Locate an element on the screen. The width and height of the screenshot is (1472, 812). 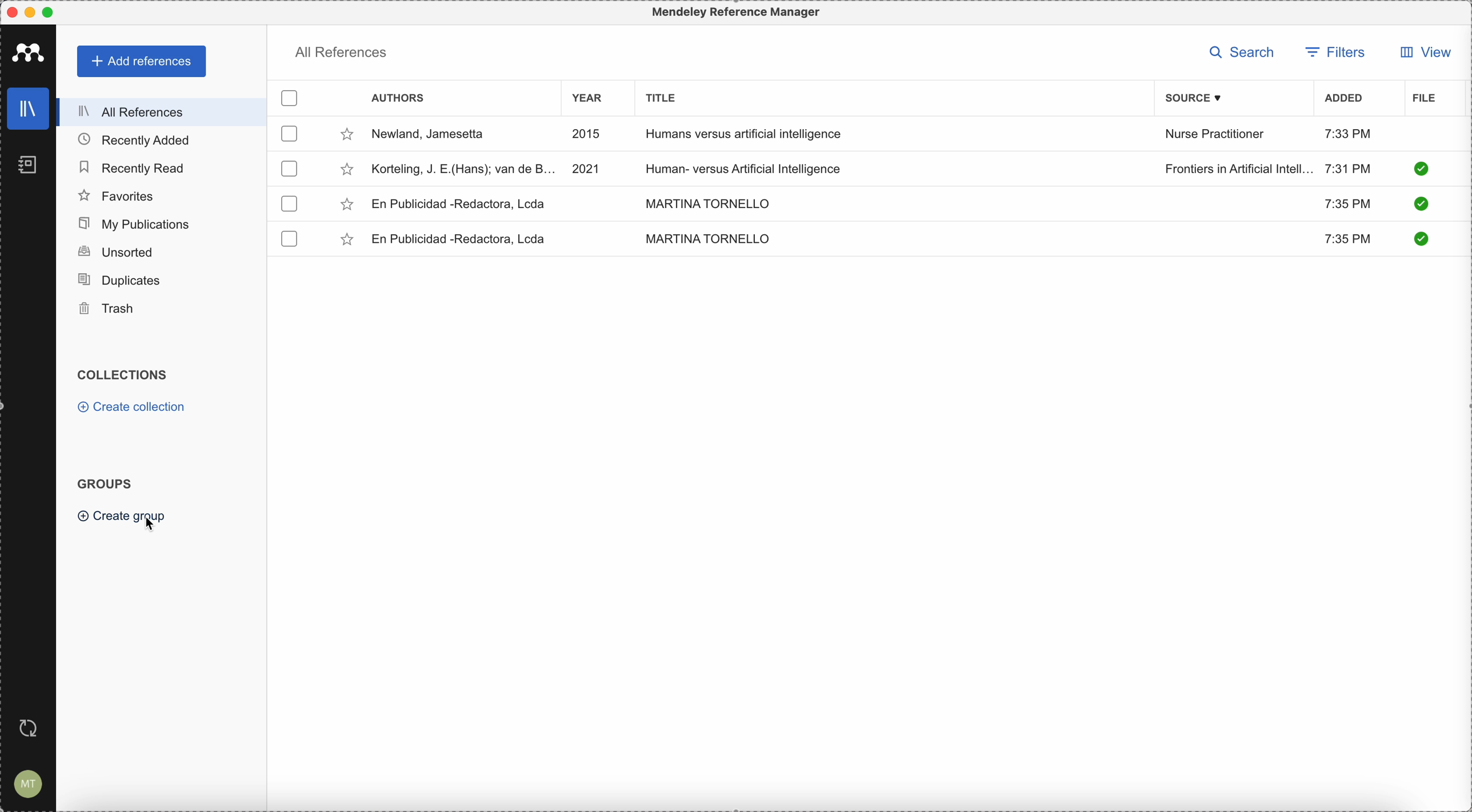
MARTINA TORNELLO is located at coordinates (705, 202).